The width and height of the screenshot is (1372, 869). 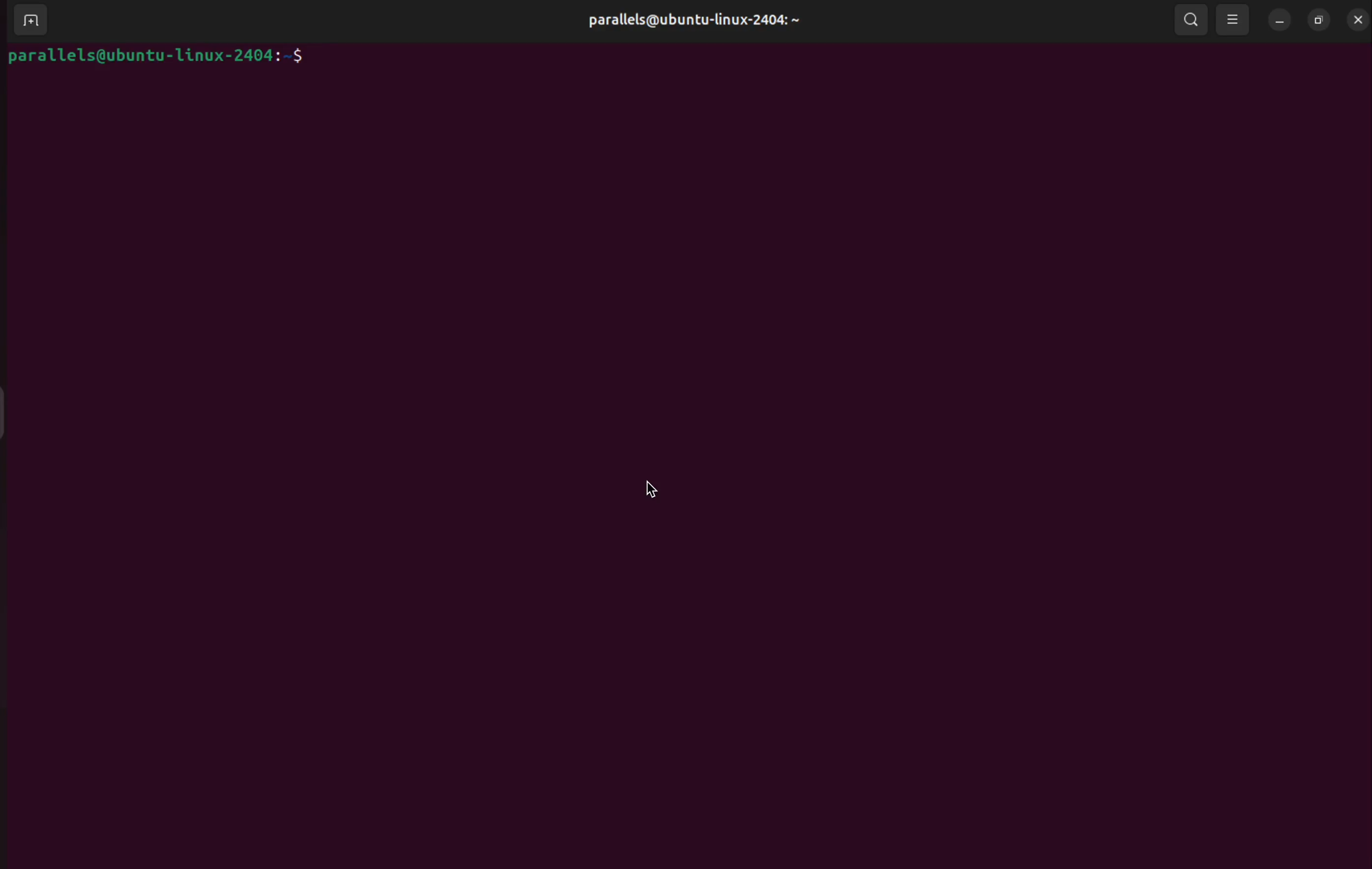 What do you see at coordinates (655, 491) in the screenshot?
I see `cursor` at bounding box center [655, 491].